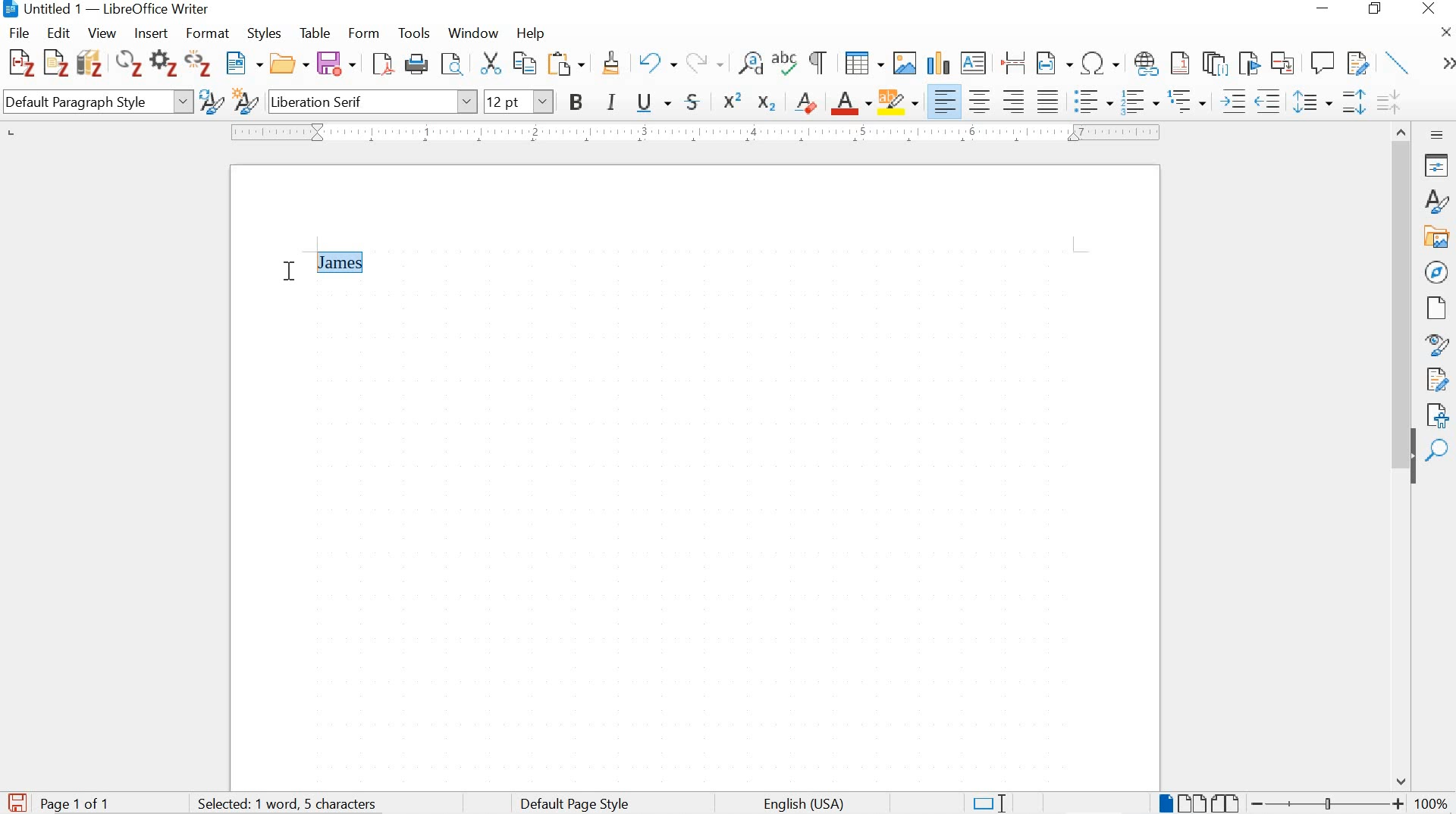 The image size is (1456, 814). What do you see at coordinates (734, 100) in the screenshot?
I see `superscript` at bounding box center [734, 100].